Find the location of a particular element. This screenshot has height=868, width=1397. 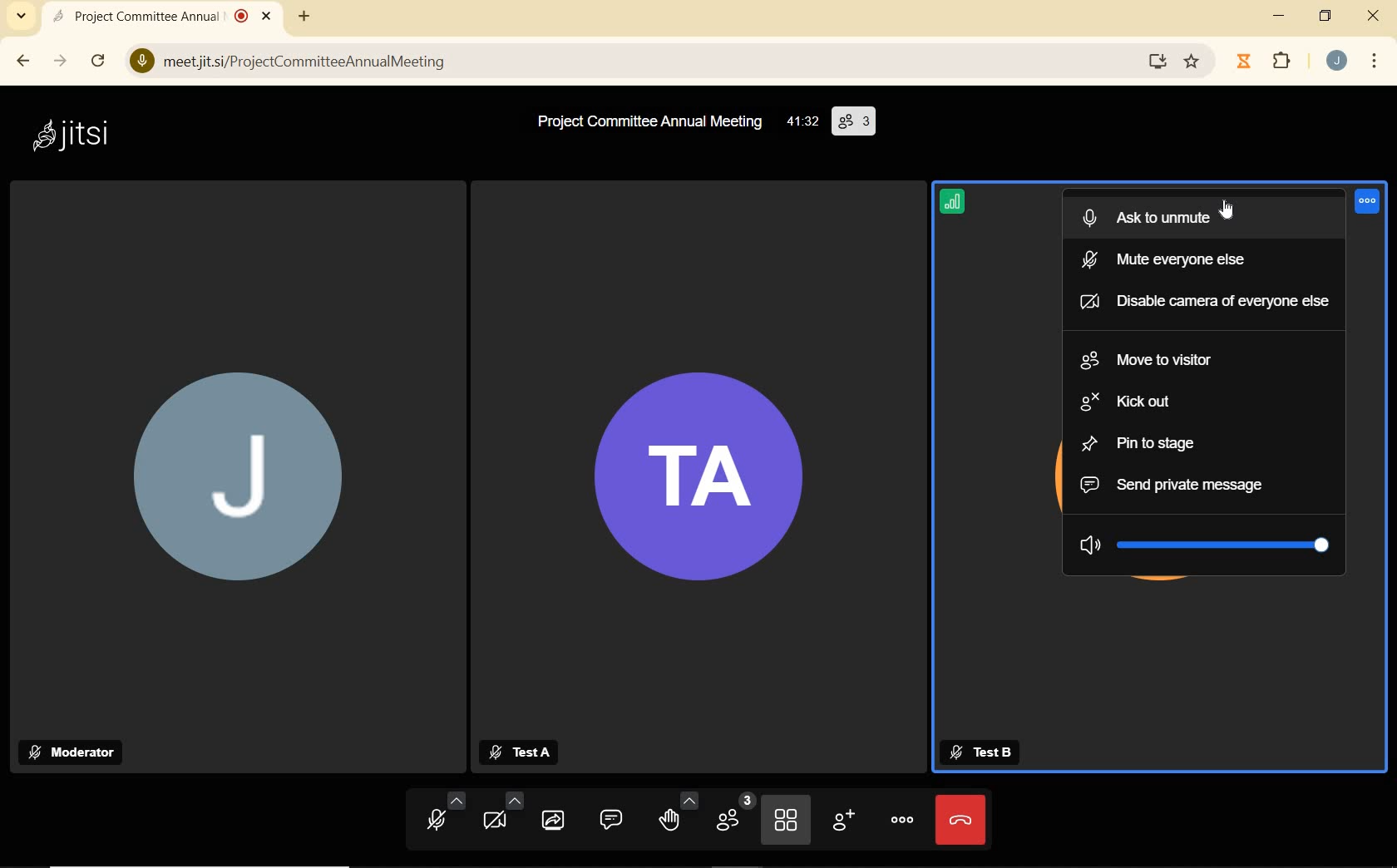

End call is located at coordinates (961, 821).